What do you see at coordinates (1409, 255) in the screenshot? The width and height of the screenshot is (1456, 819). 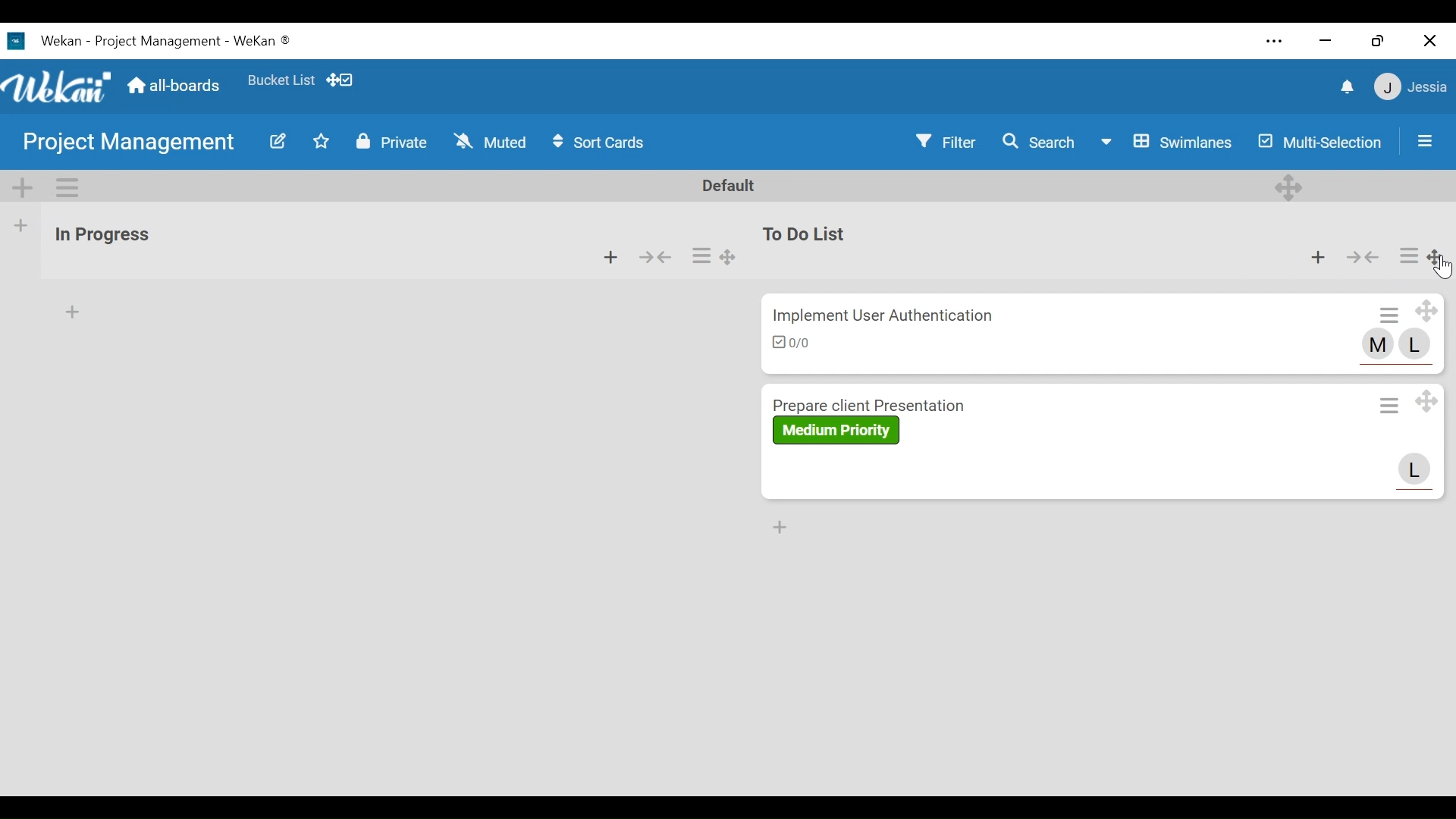 I see `List Actions` at bounding box center [1409, 255].